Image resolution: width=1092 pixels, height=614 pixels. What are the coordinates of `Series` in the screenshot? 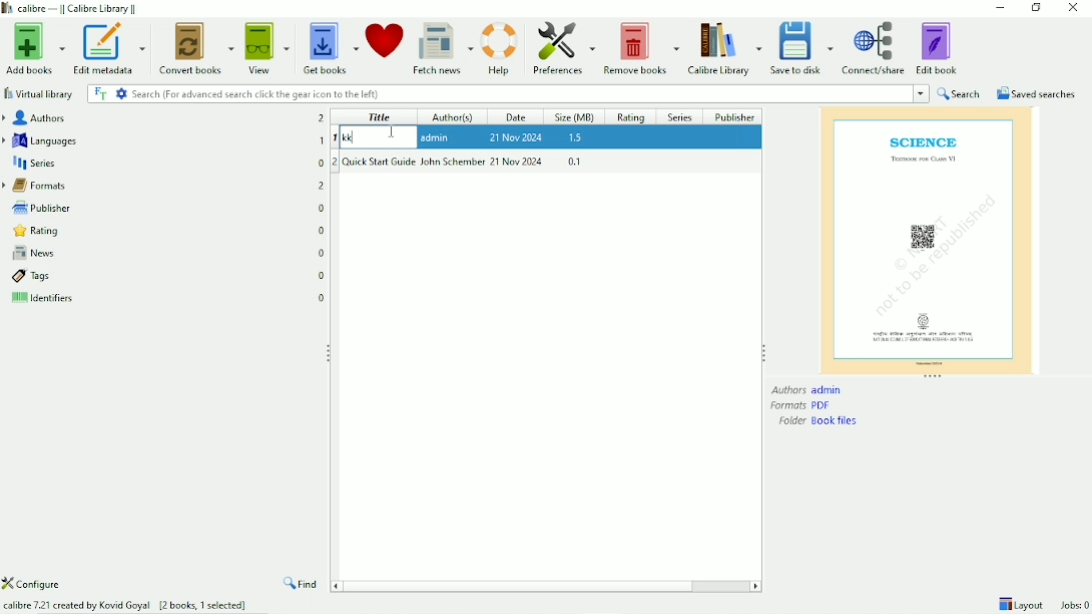 It's located at (34, 164).